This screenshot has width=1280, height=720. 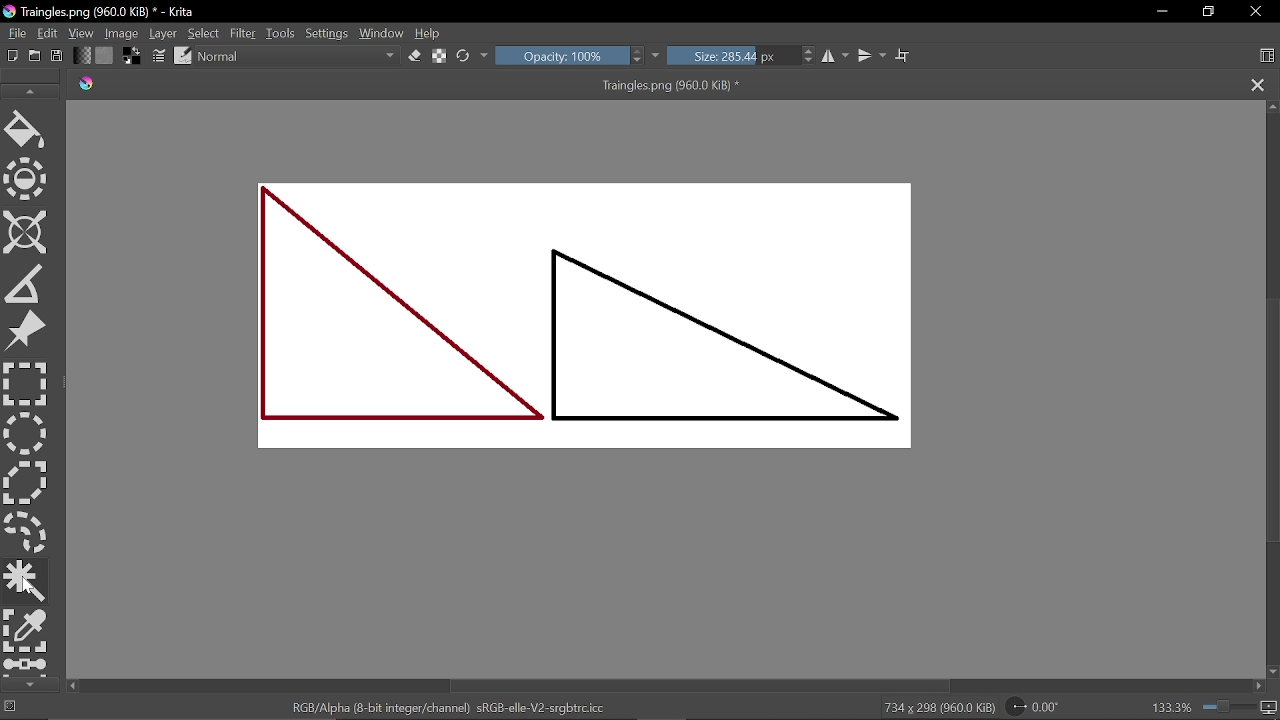 I want to click on Edit, so click(x=48, y=34).